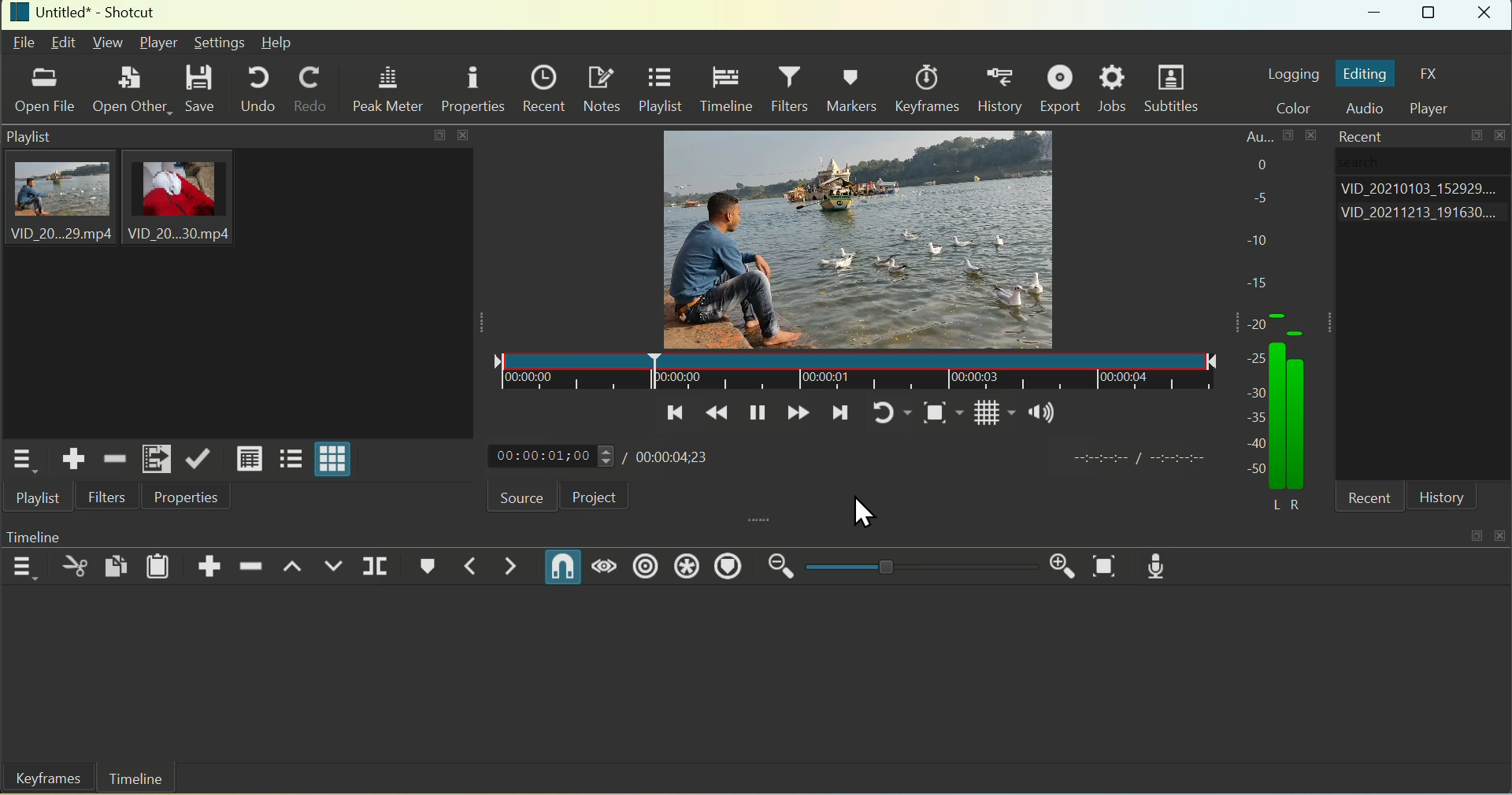  What do you see at coordinates (1292, 72) in the screenshot?
I see `Logging` at bounding box center [1292, 72].